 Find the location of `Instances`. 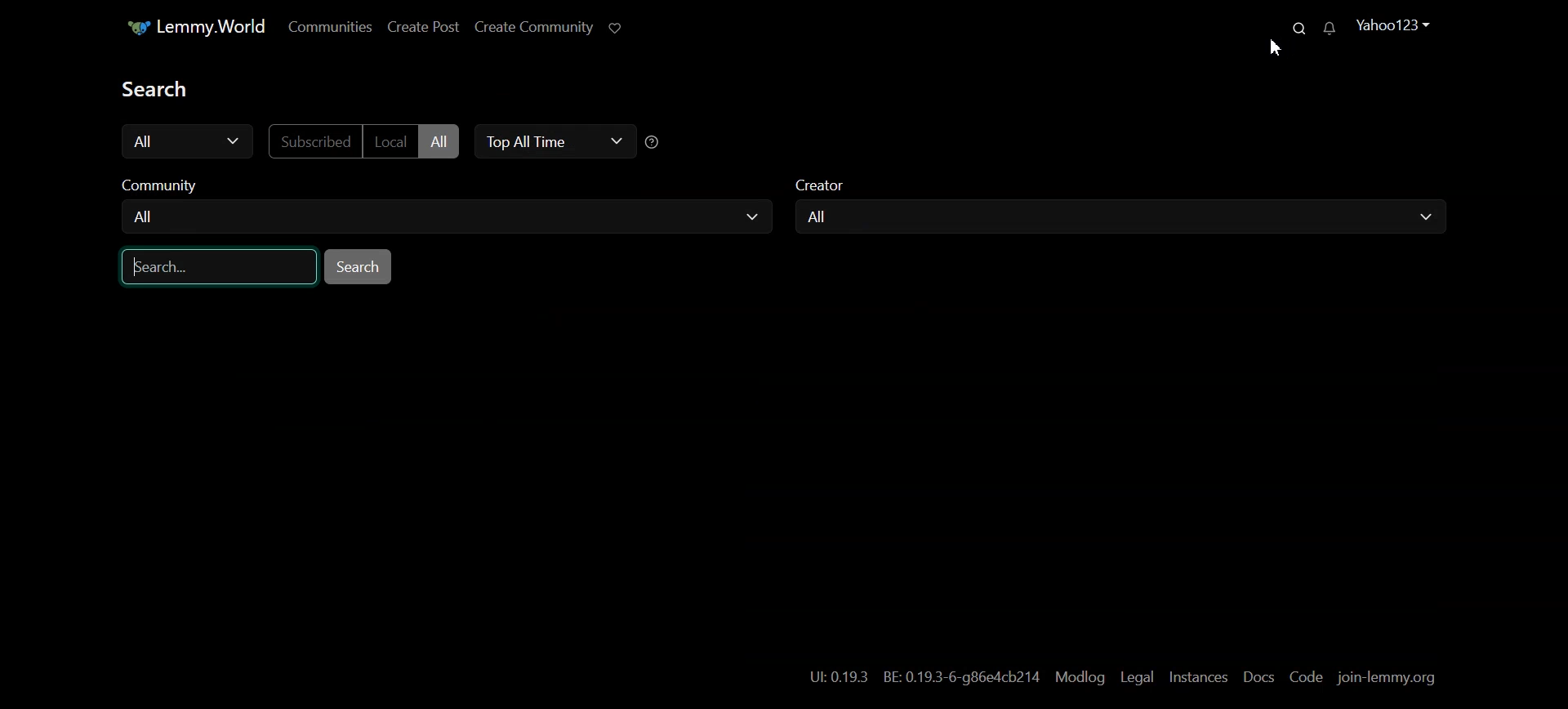

Instances is located at coordinates (1198, 676).